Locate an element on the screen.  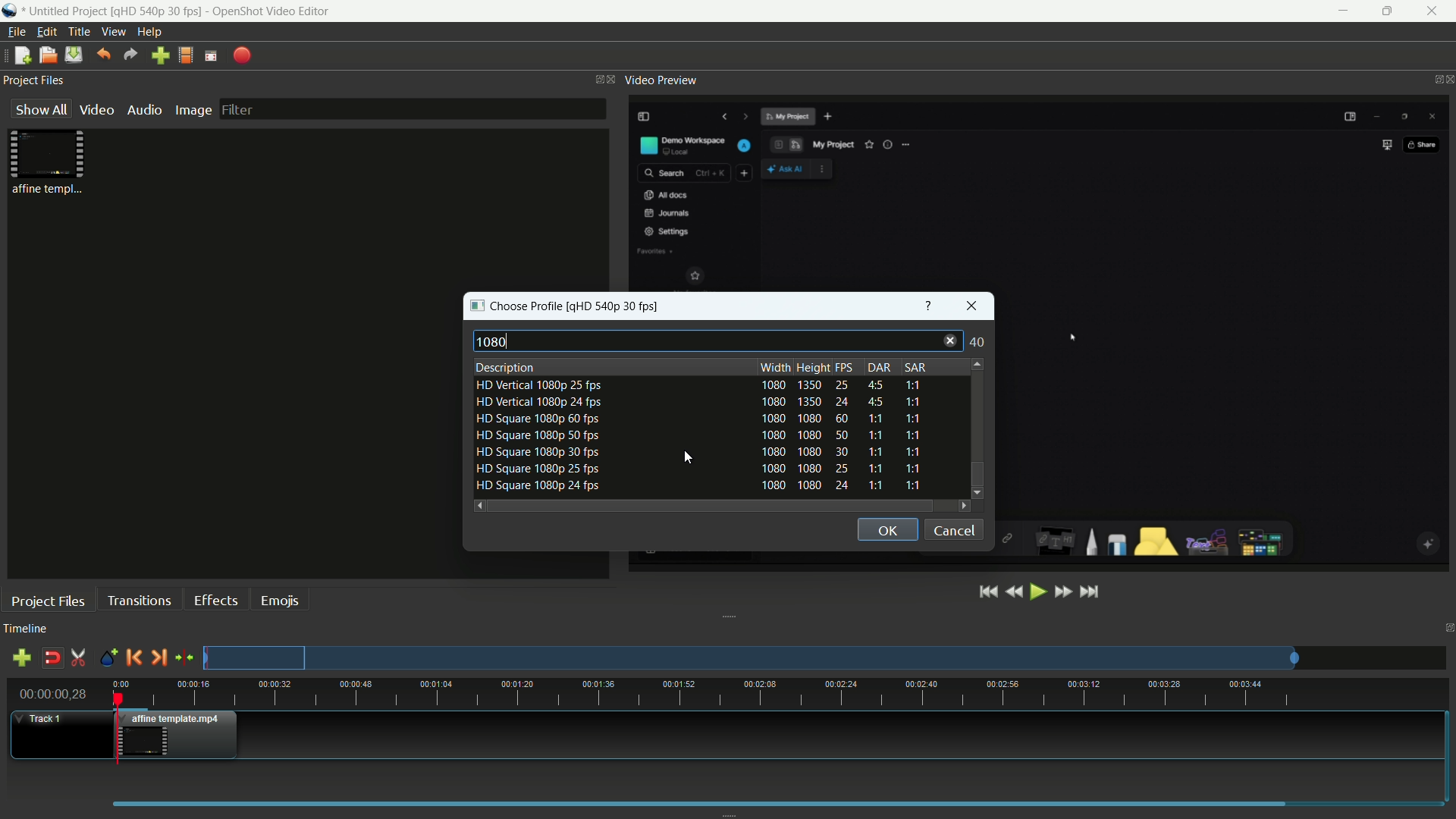
description is located at coordinates (506, 368).